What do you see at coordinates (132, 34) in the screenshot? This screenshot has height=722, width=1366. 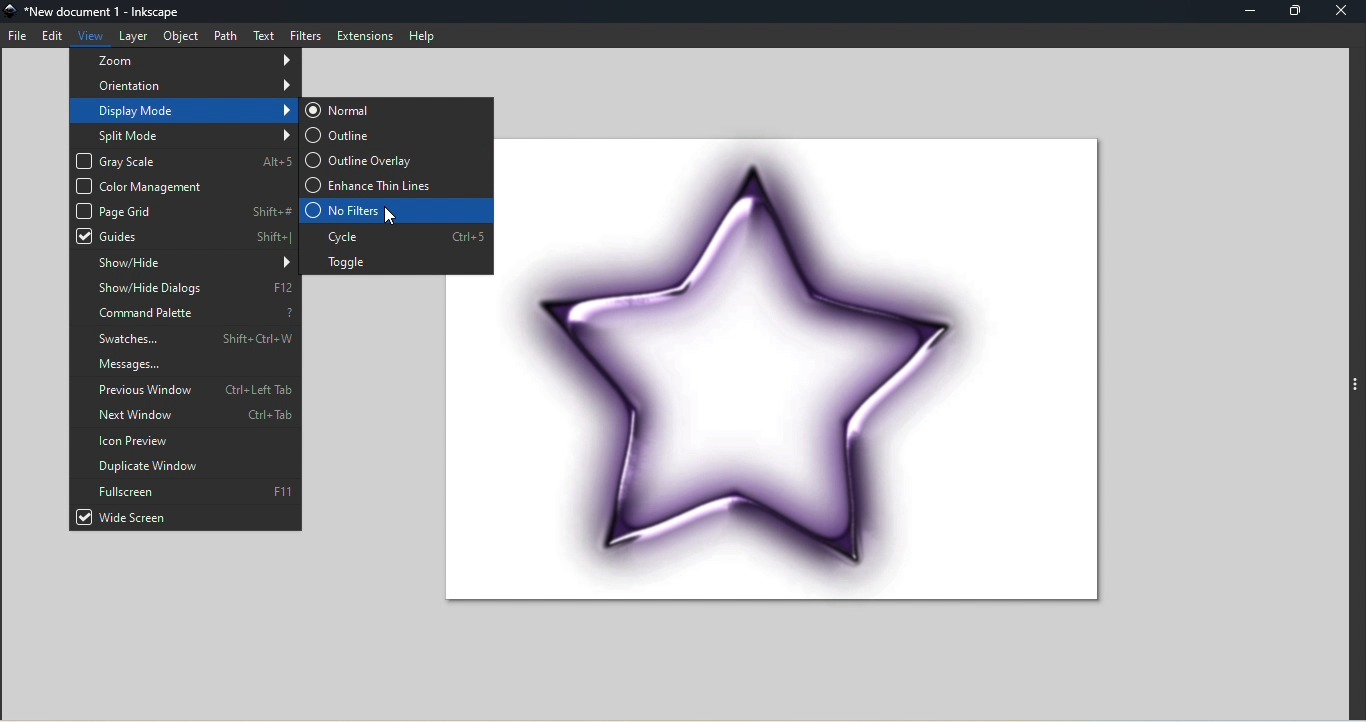 I see `Layer` at bounding box center [132, 34].